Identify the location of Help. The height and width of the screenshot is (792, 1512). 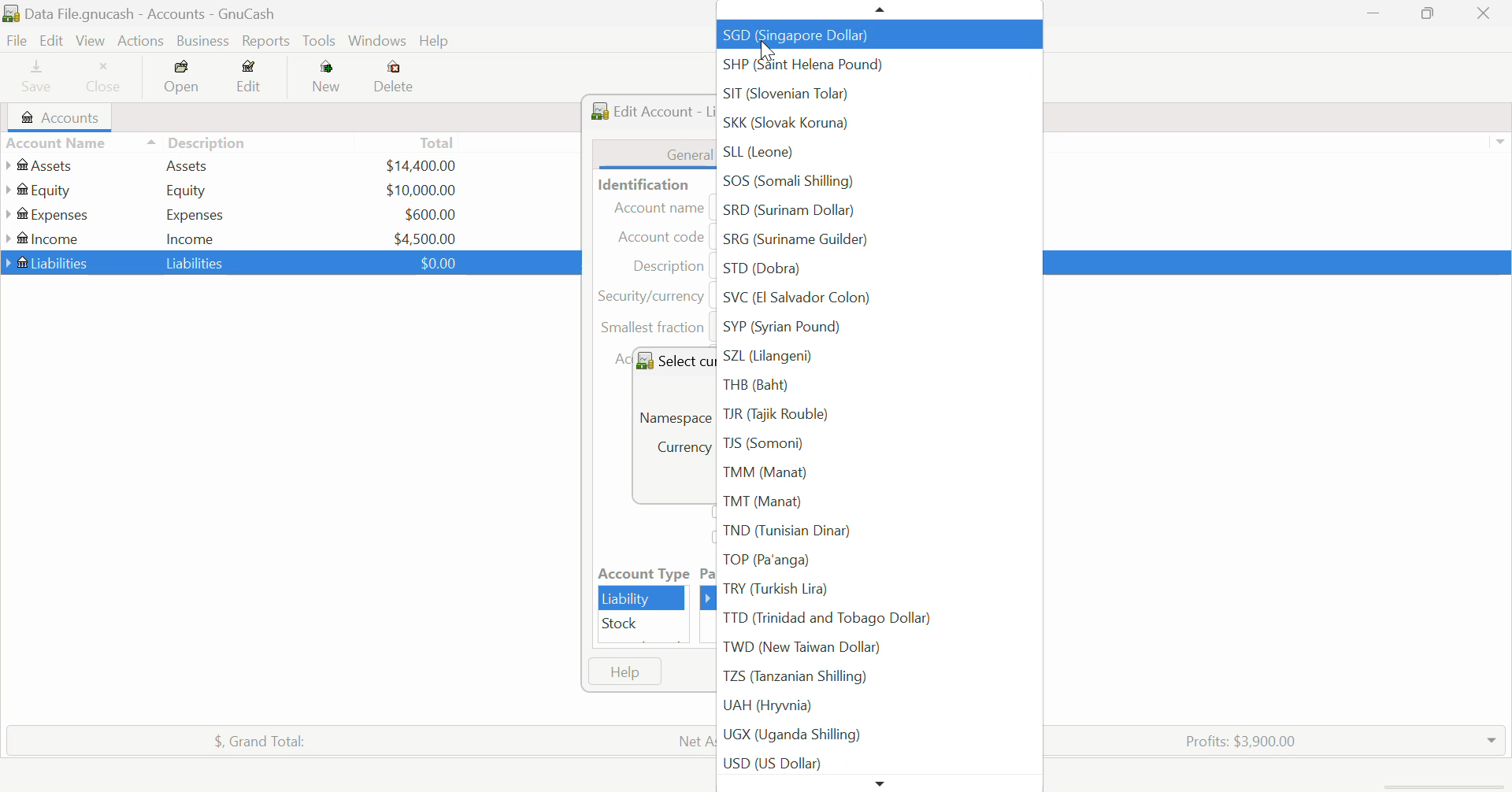
(436, 42).